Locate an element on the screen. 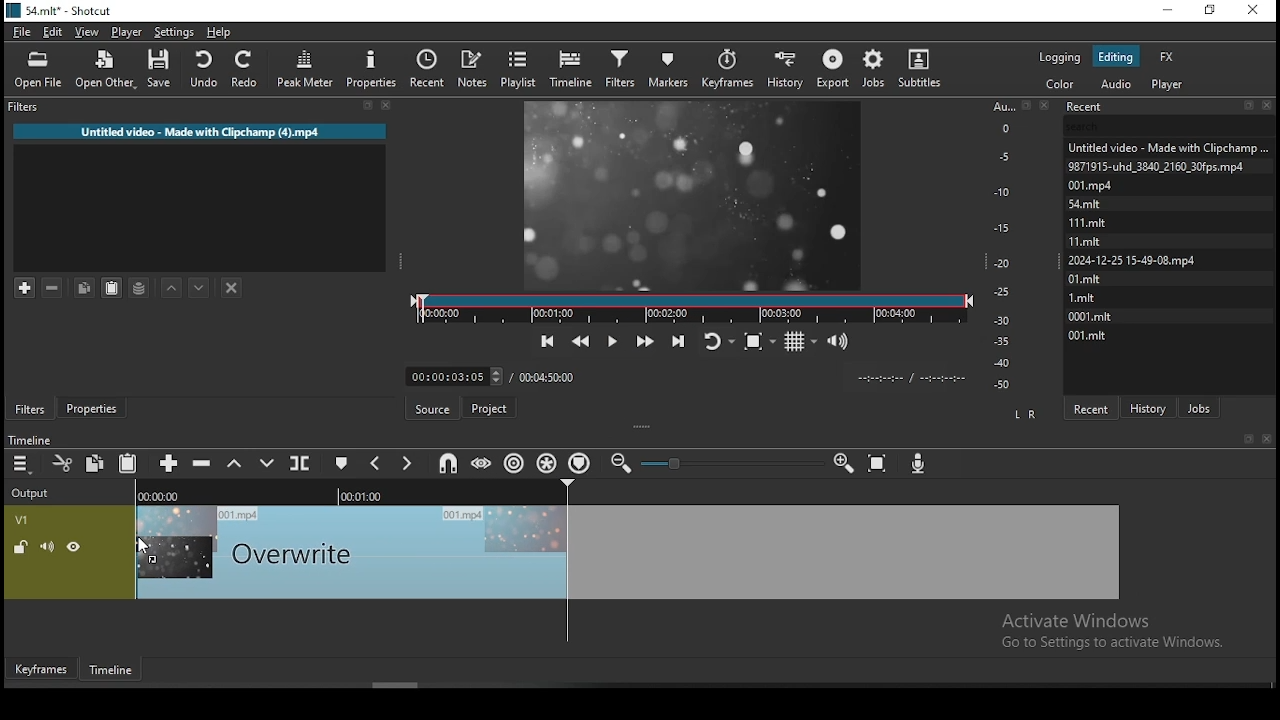  restore is located at coordinates (1211, 11).